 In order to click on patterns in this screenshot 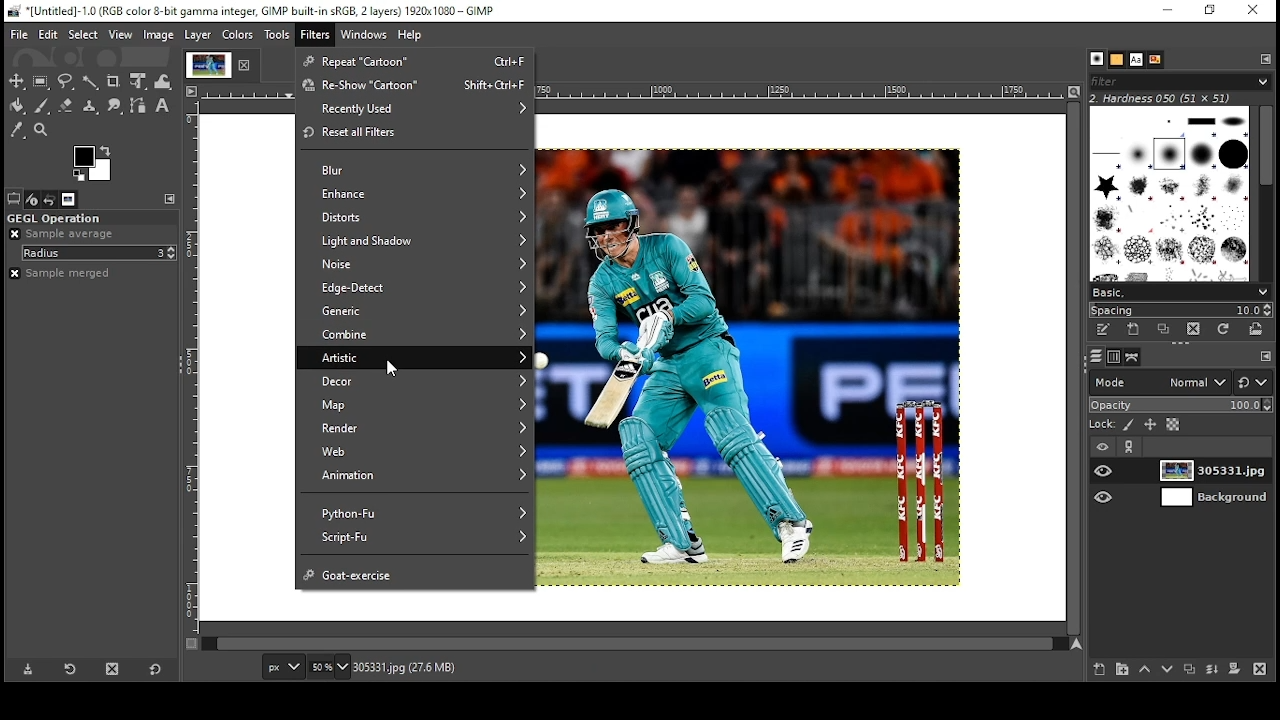, I will do `click(1118, 60)`.